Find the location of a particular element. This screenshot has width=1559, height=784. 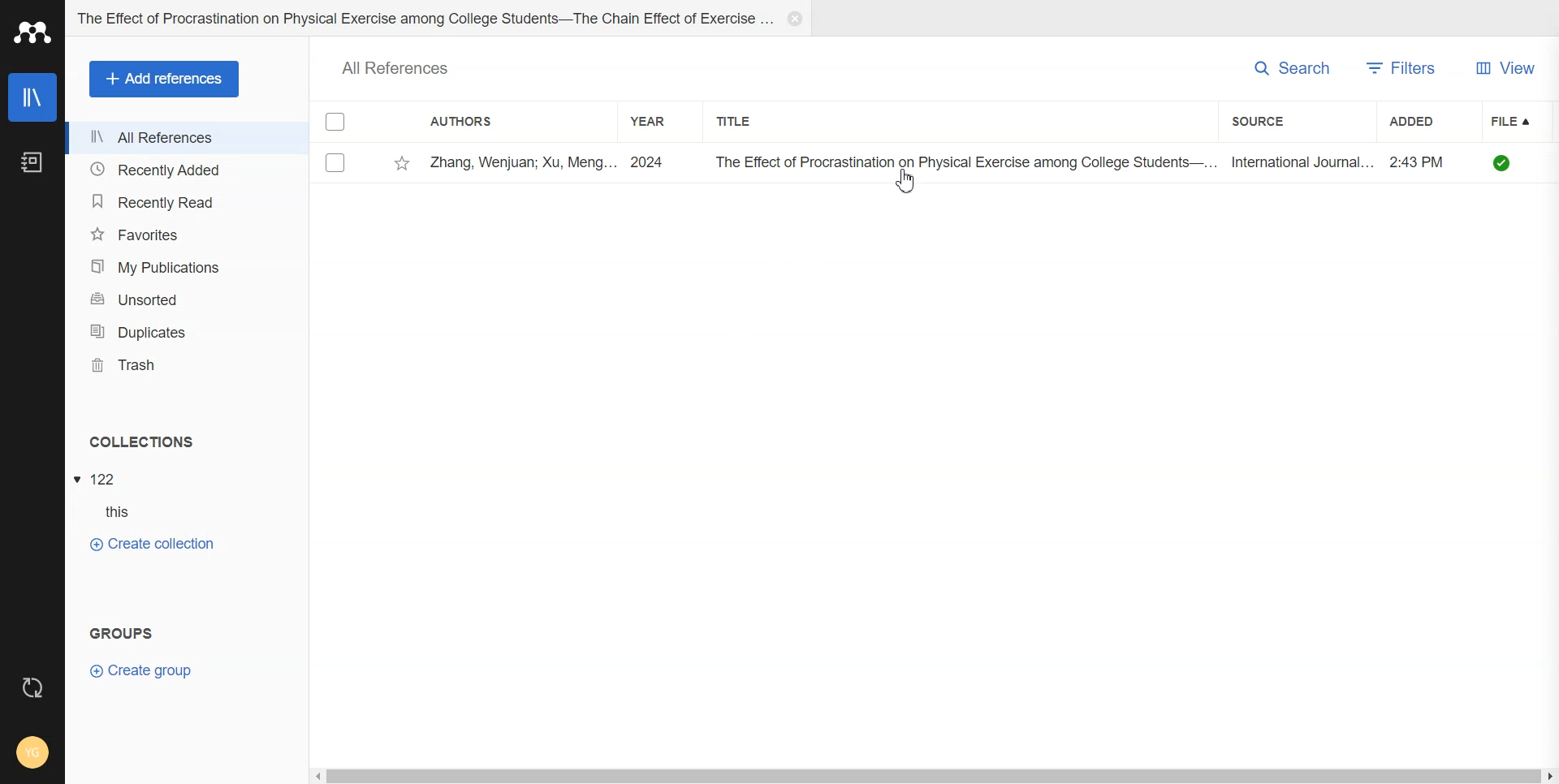

Authors is located at coordinates (491, 122).